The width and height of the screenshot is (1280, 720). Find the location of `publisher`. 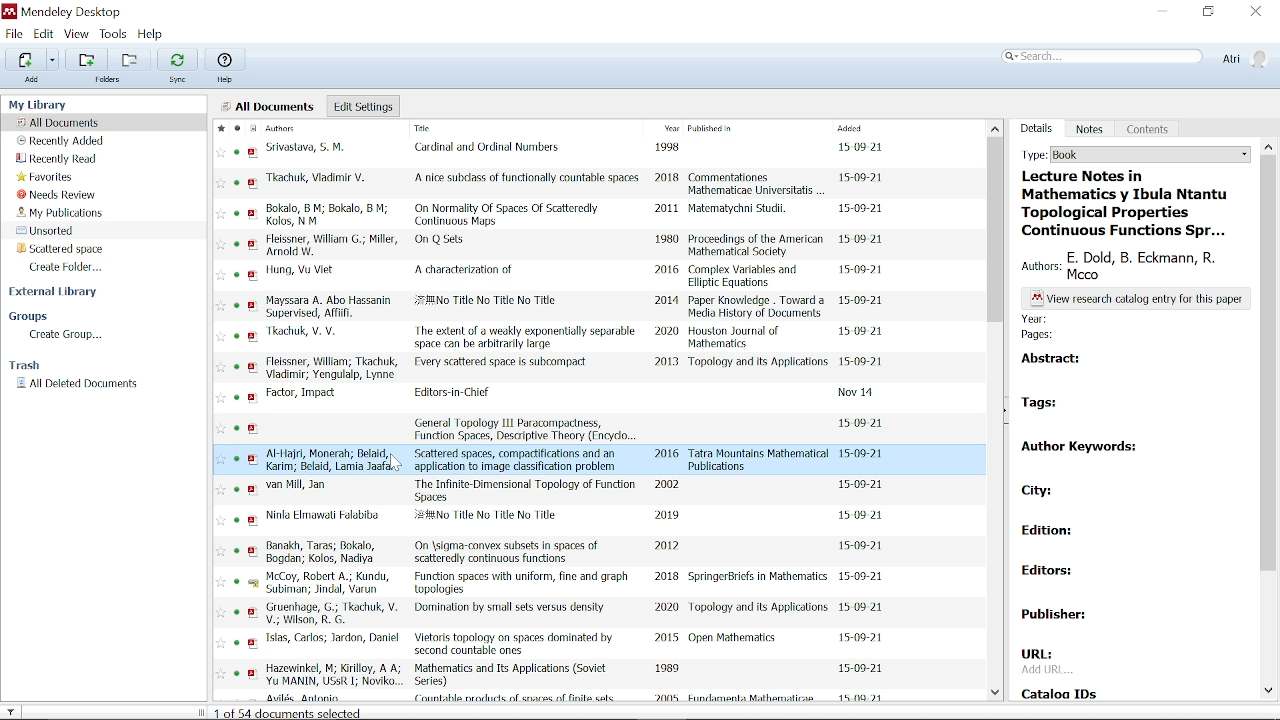

publisher is located at coordinates (1059, 616).